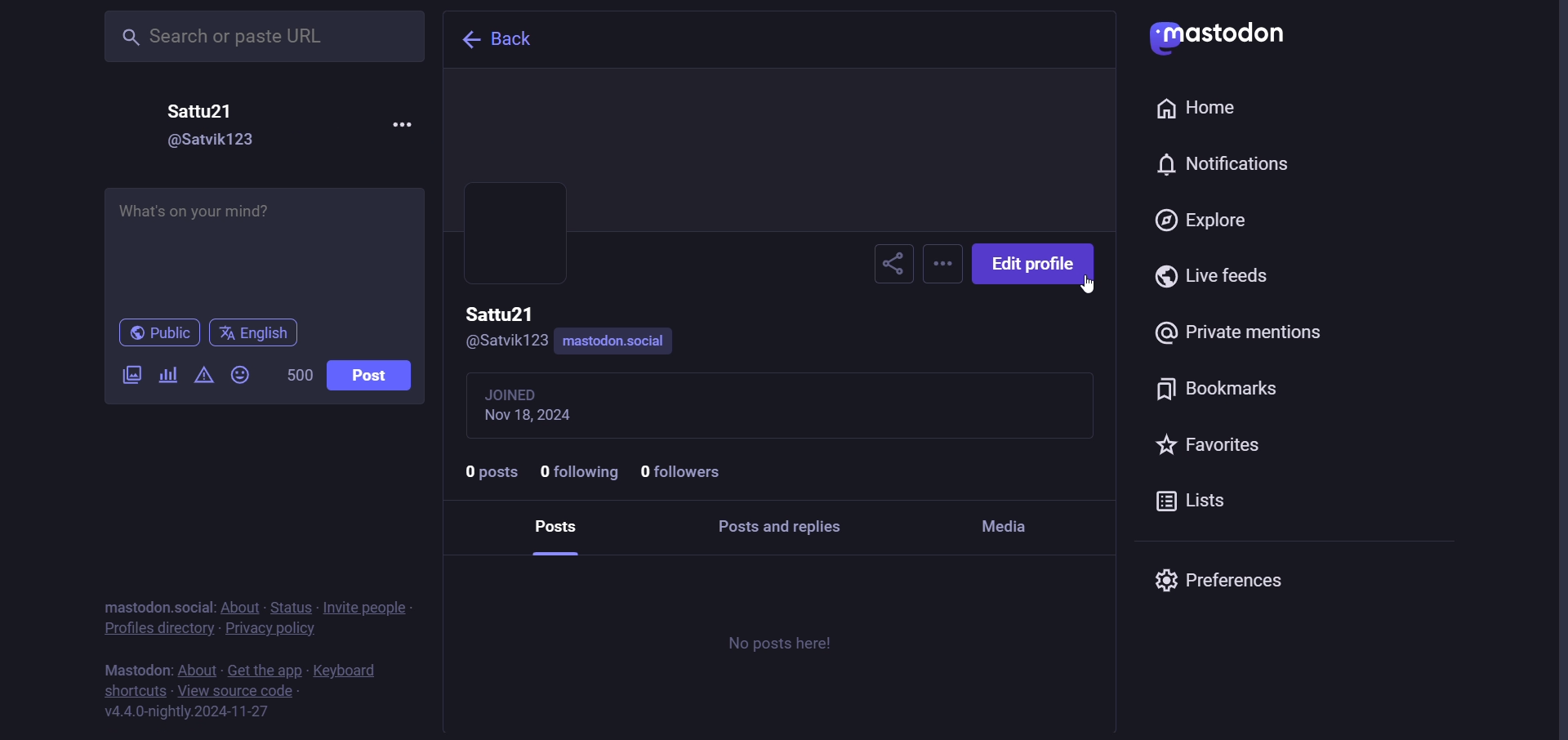 The image size is (1568, 740). I want to click on get the app, so click(264, 671).